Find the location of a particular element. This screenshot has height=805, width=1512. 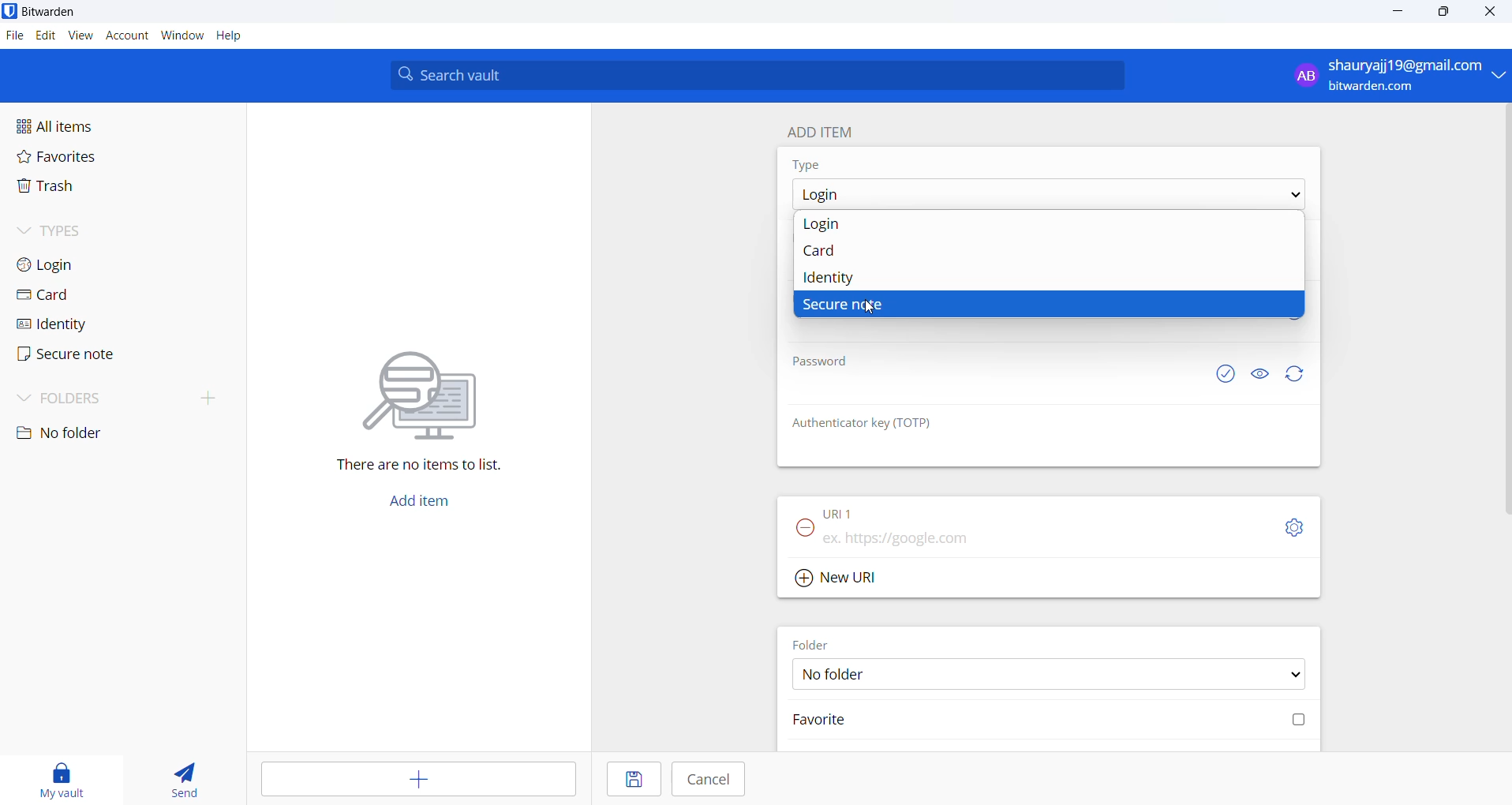

folders is located at coordinates (123, 401).